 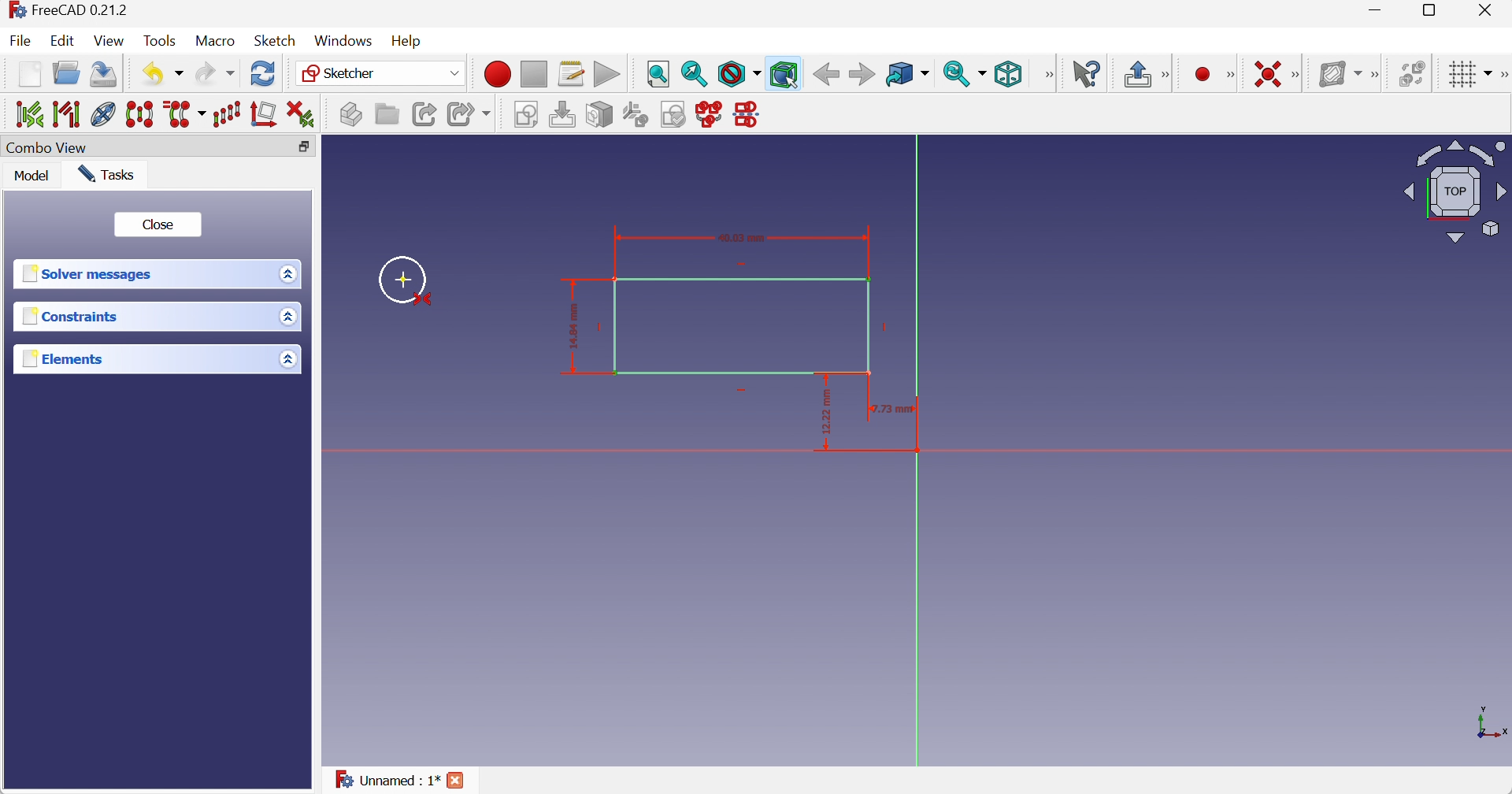 I want to click on [Sketcher edit tools], so click(x=1503, y=75).